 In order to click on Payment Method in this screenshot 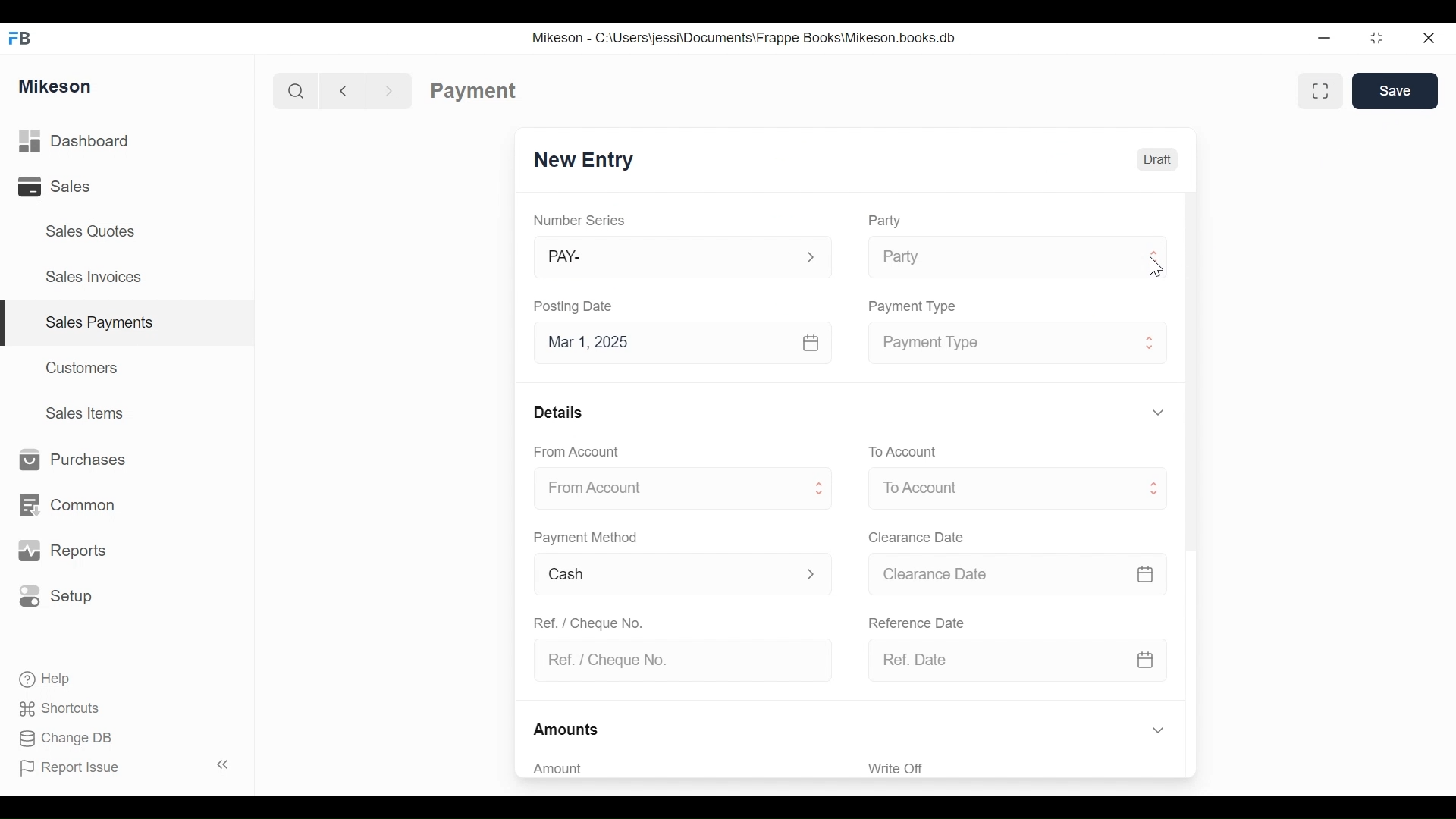, I will do `click(587, 540)`.